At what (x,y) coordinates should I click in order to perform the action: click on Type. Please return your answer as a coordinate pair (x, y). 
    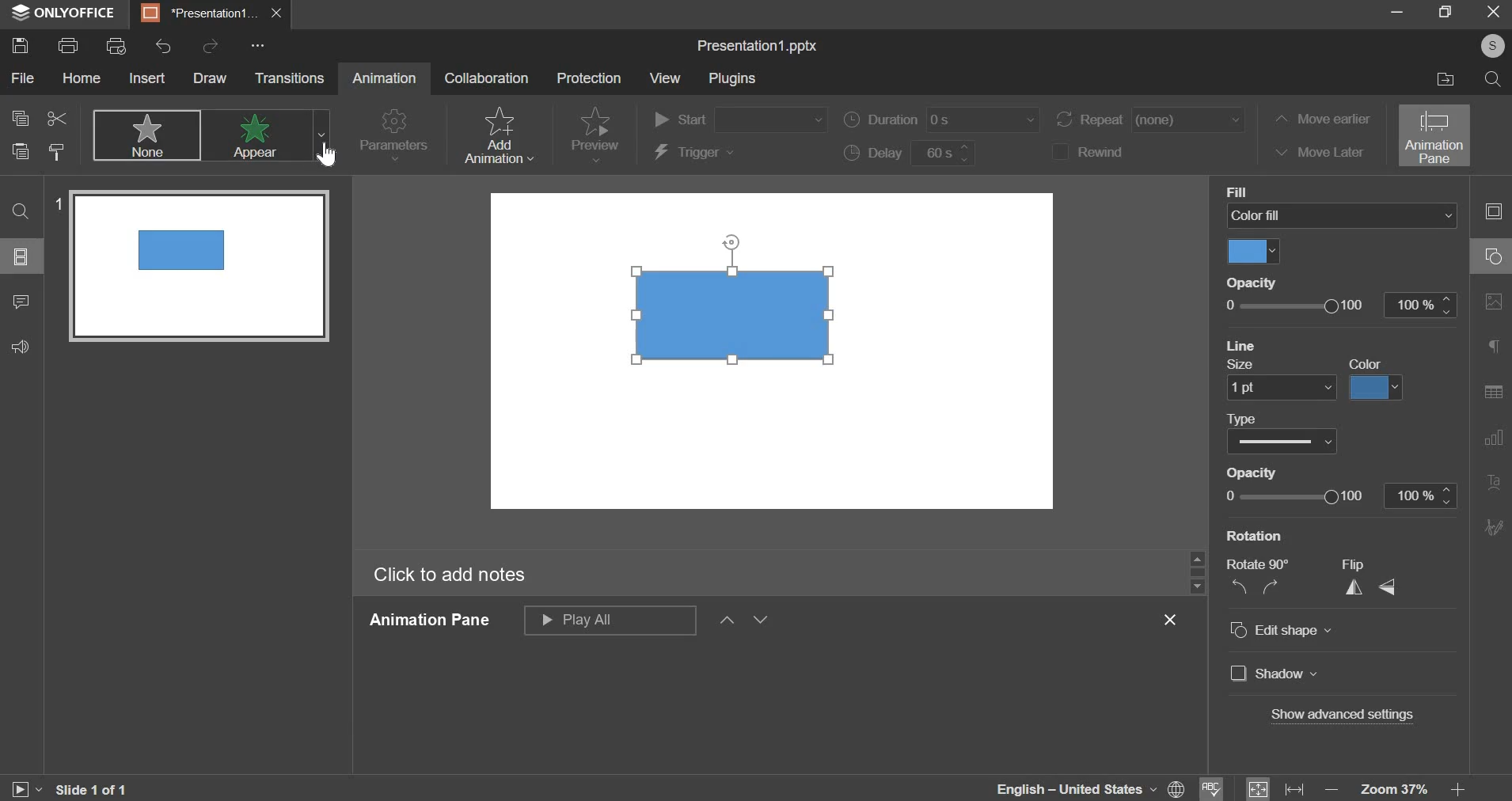
    Looking at the image, I should click on (1252, 417).